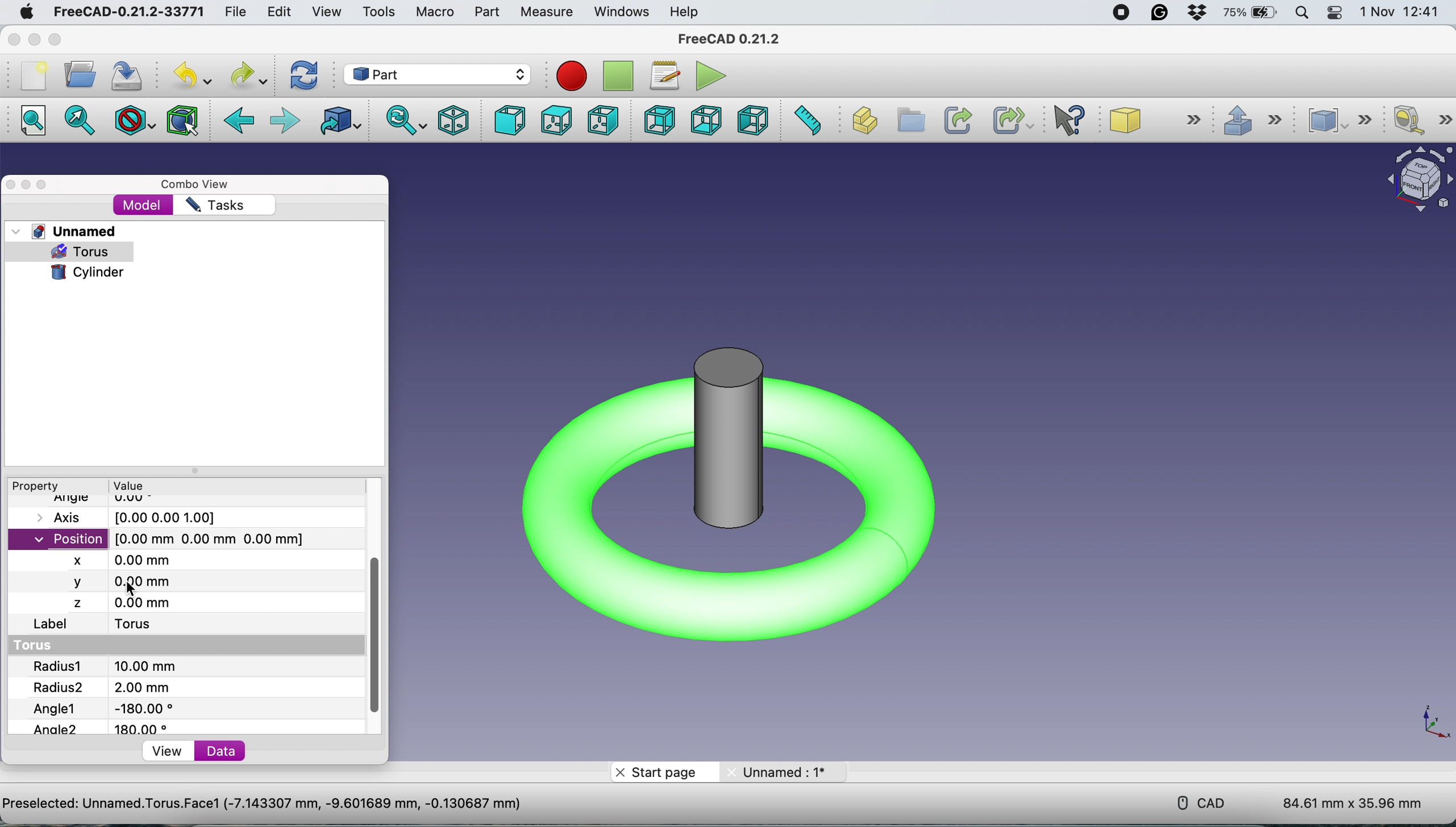 This screenshot has height=827, width=1456. Describe the element at coordinates (662, 74) in the screenshot. I see `macros` at that location.